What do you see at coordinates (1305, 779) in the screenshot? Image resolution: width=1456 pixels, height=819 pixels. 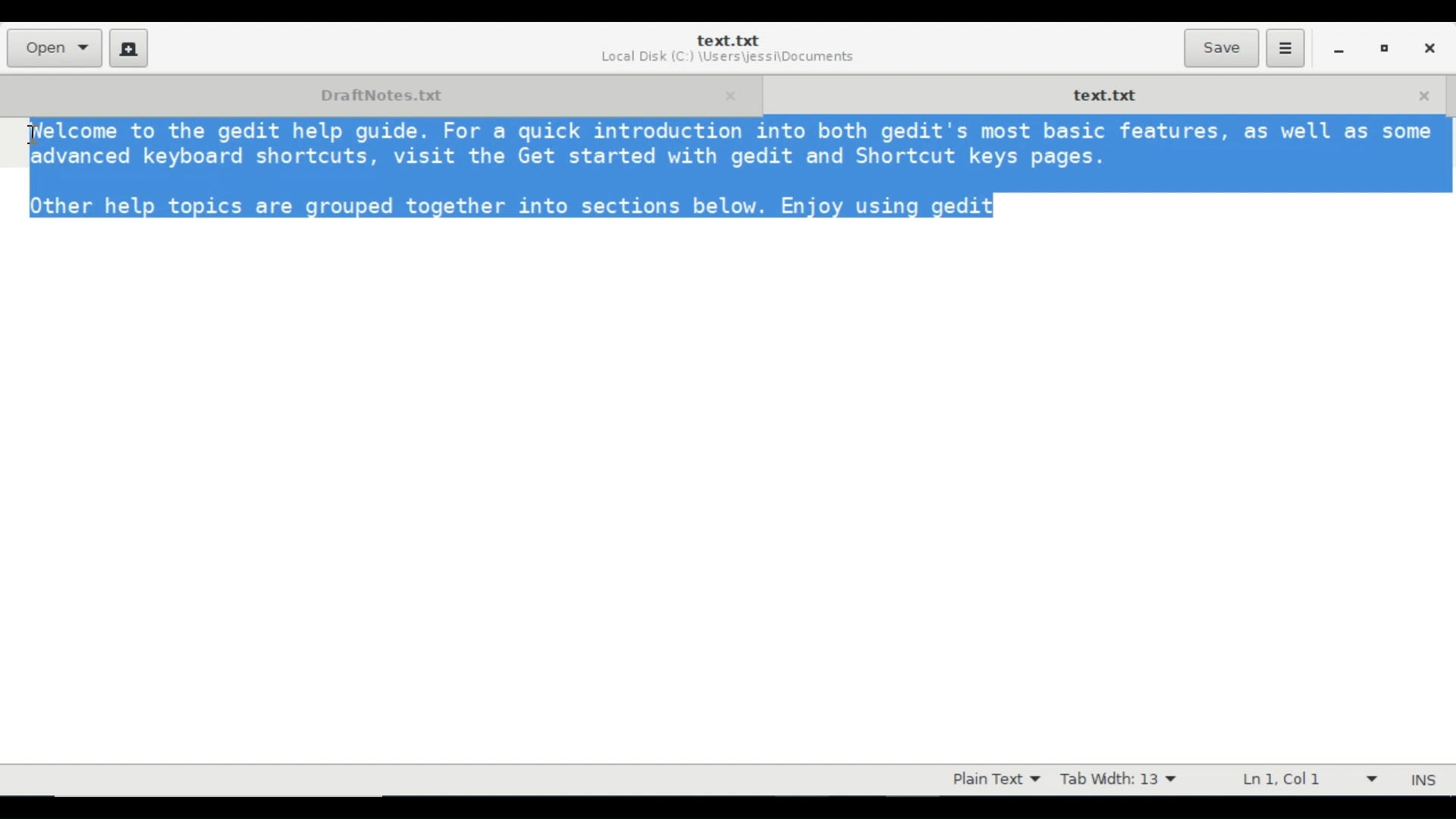 I see `Line & Column` at bounding box center [1305, 779].